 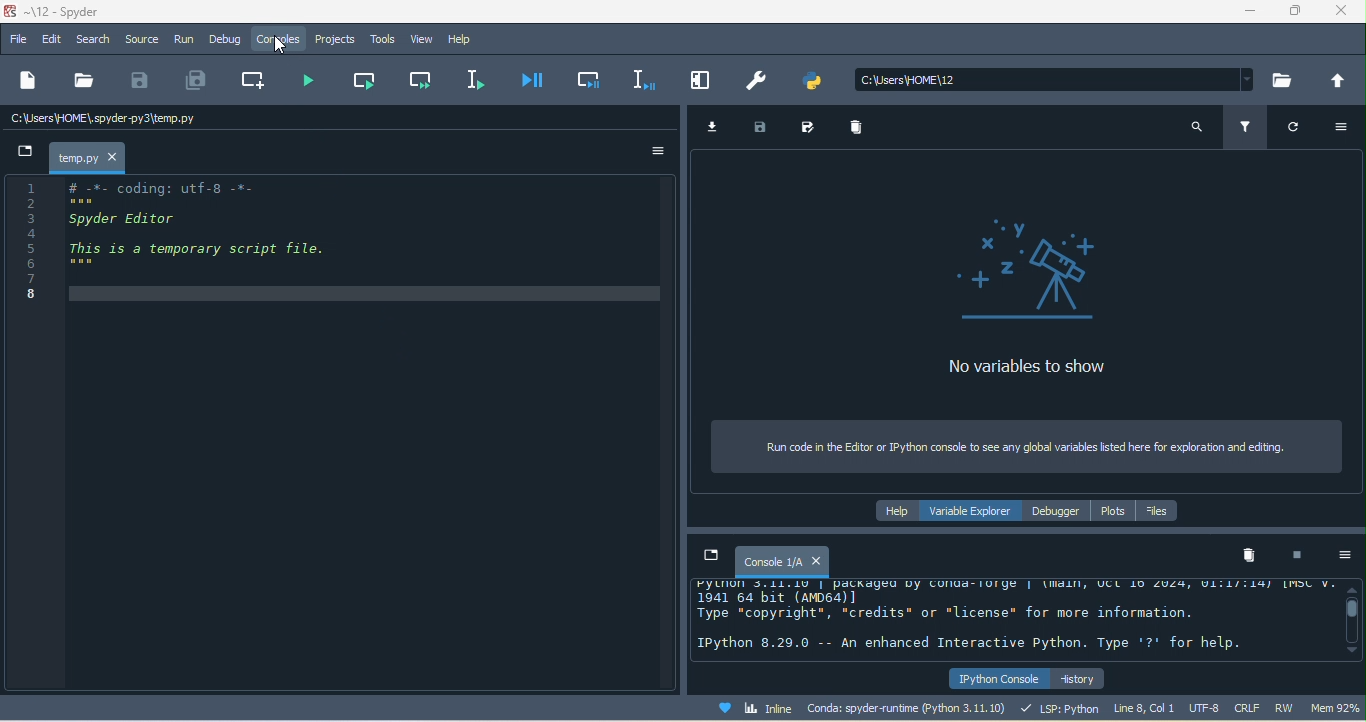 What do you see at coordinates (862, 132) in the screenshot?
I see `remove all` at bounding box center [862, 132].